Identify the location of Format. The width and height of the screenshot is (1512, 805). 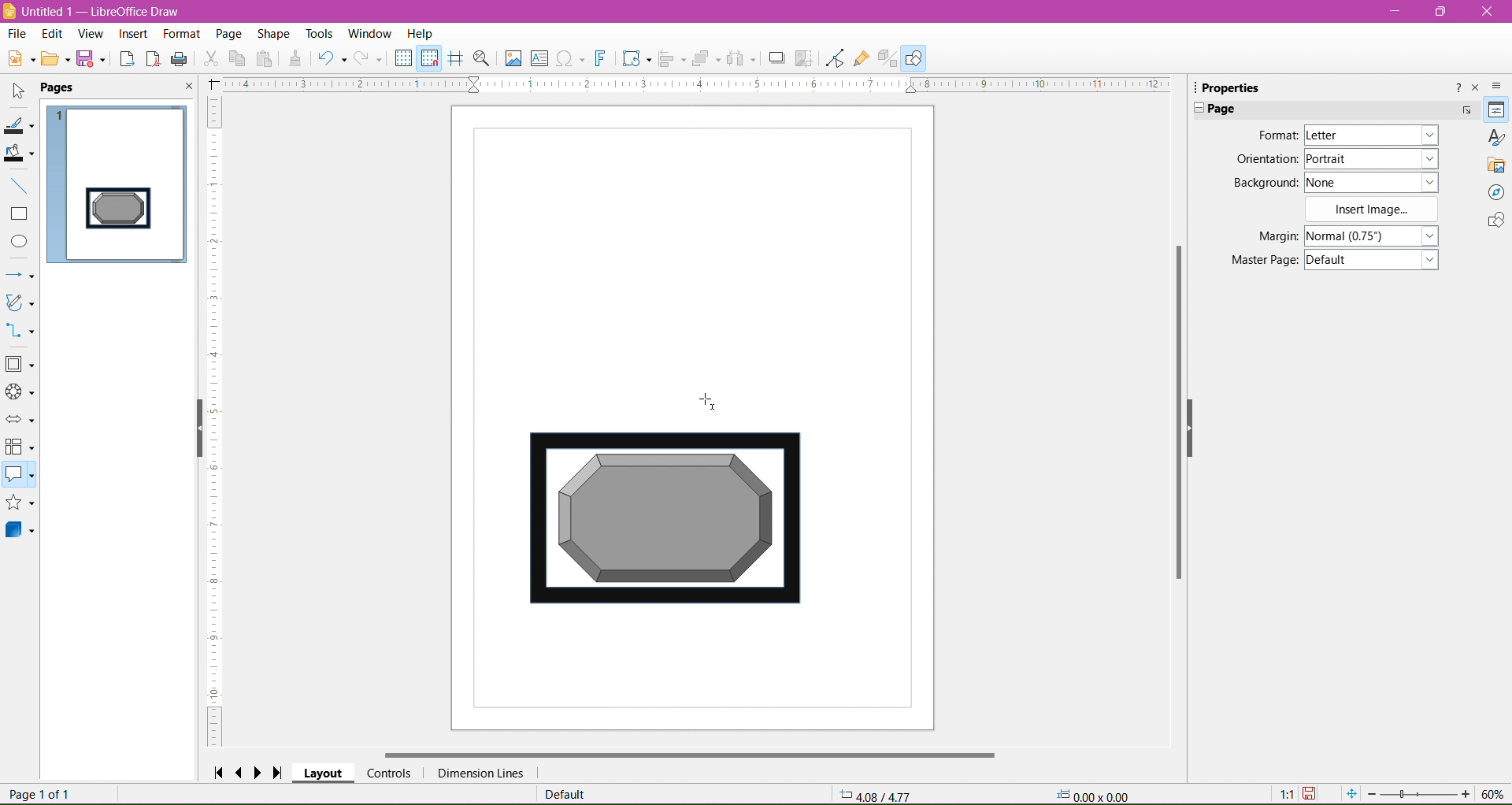
(180, 34).